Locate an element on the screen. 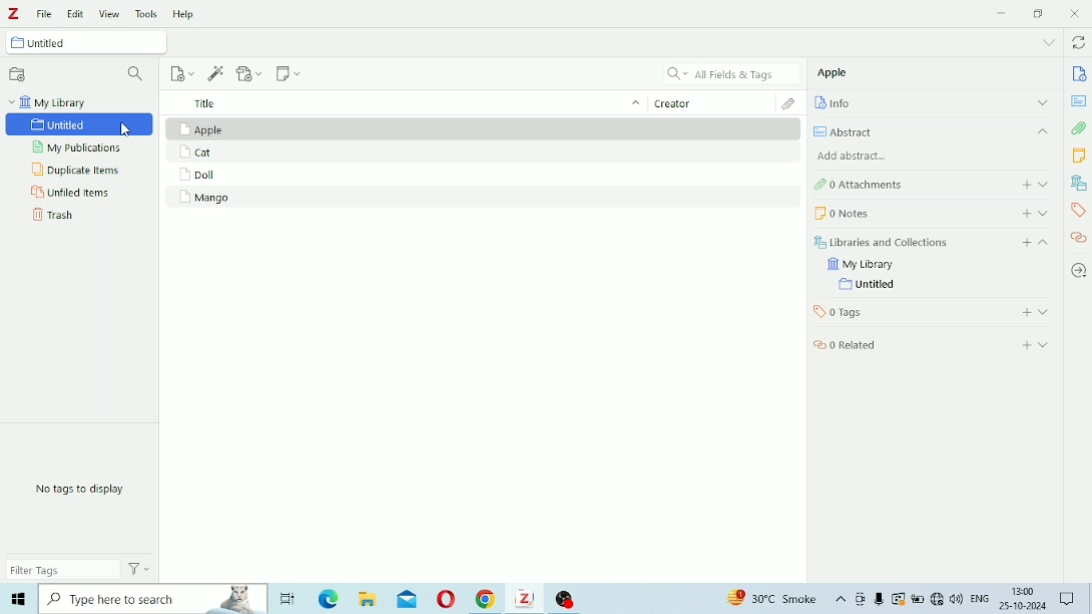  Locate is located at coordinates (1079, 271).